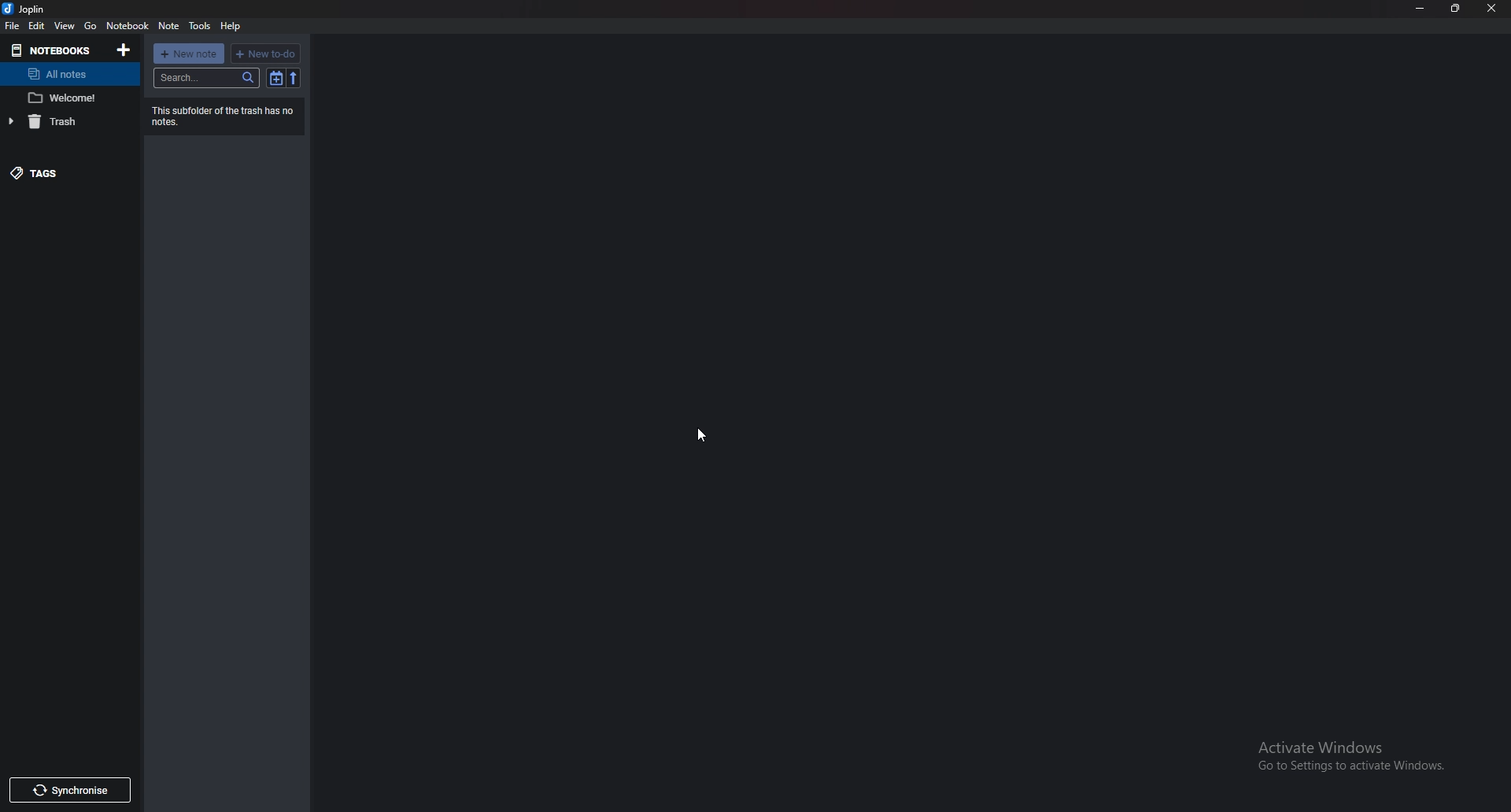  I want to click on close, so click(1489, 9).